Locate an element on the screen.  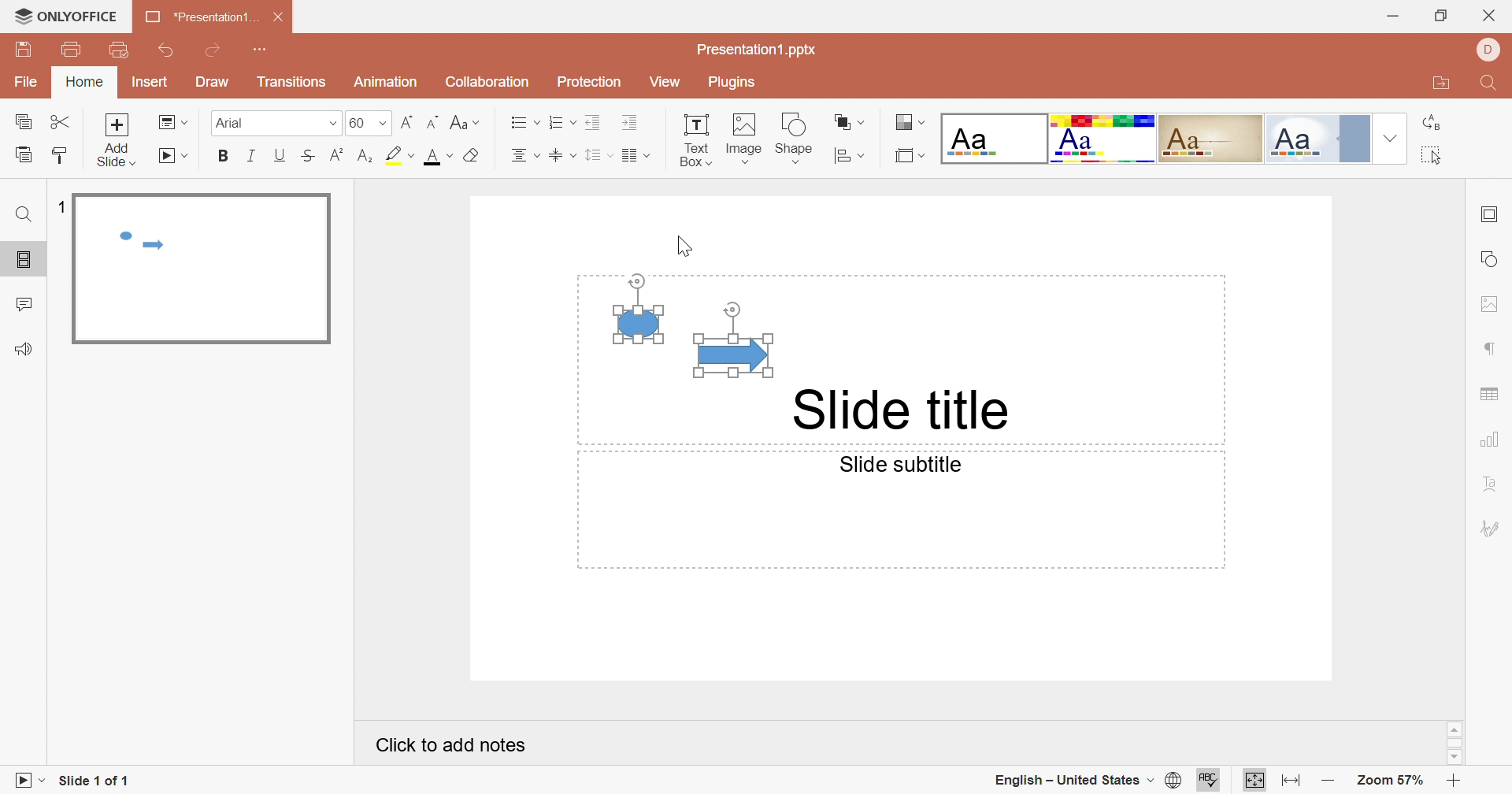
Chart settings is located at coordinates (1490, 446).